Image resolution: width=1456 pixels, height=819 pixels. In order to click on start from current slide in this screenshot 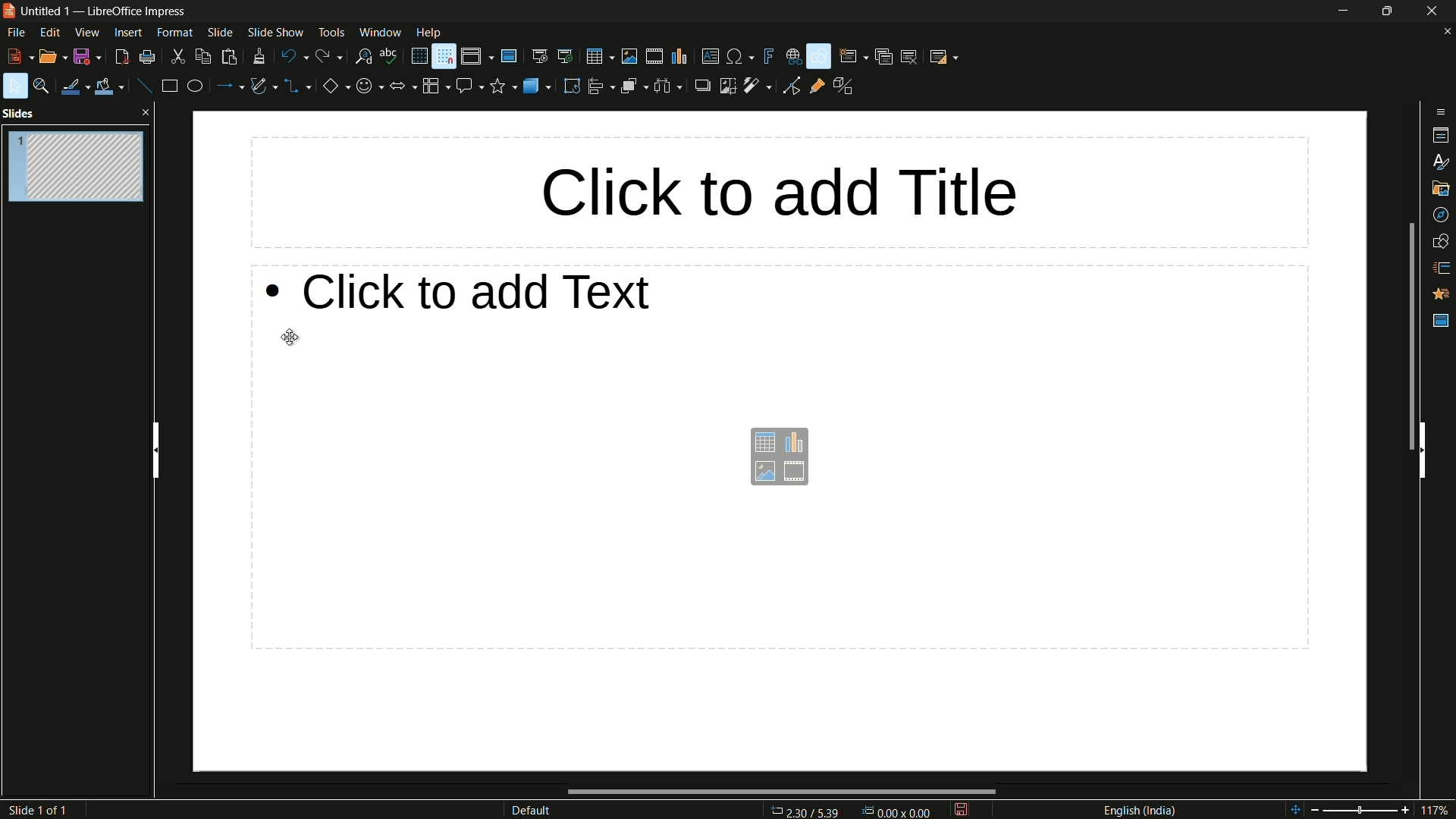, I will do `click(567, 56)`.